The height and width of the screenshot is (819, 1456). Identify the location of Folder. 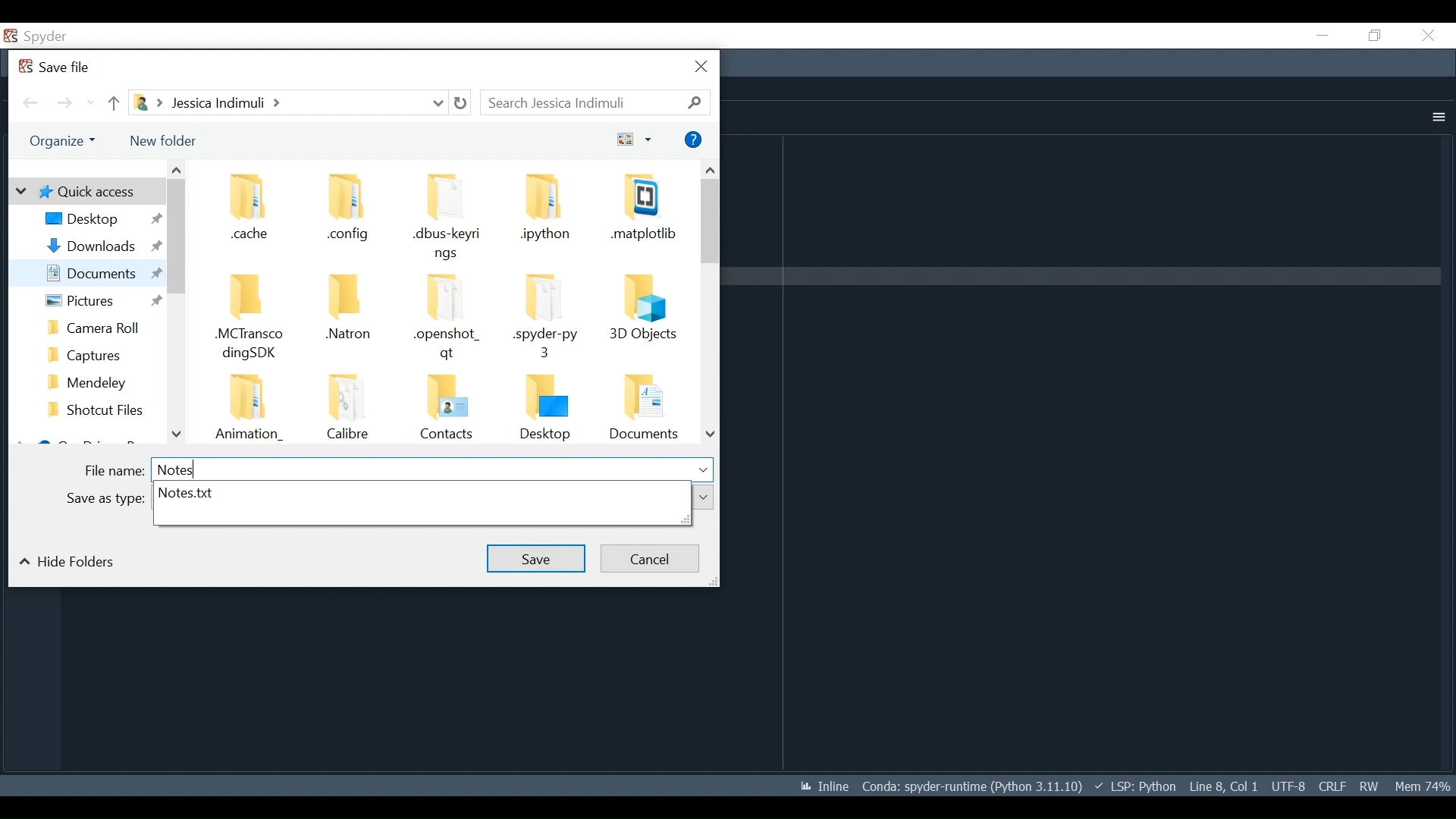
(343, 210).